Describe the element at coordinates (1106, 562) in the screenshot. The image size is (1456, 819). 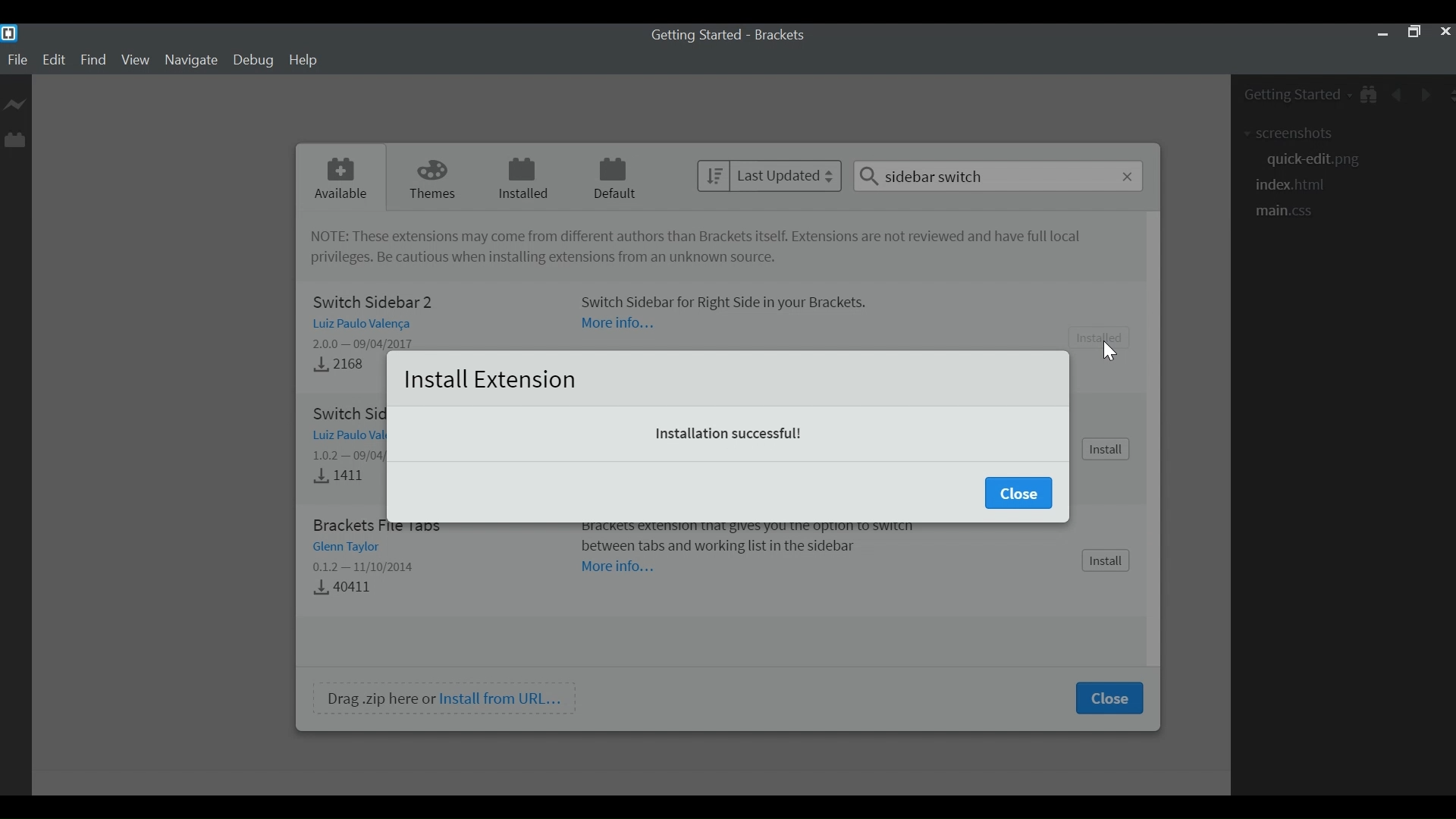
I see `Install` at that location.